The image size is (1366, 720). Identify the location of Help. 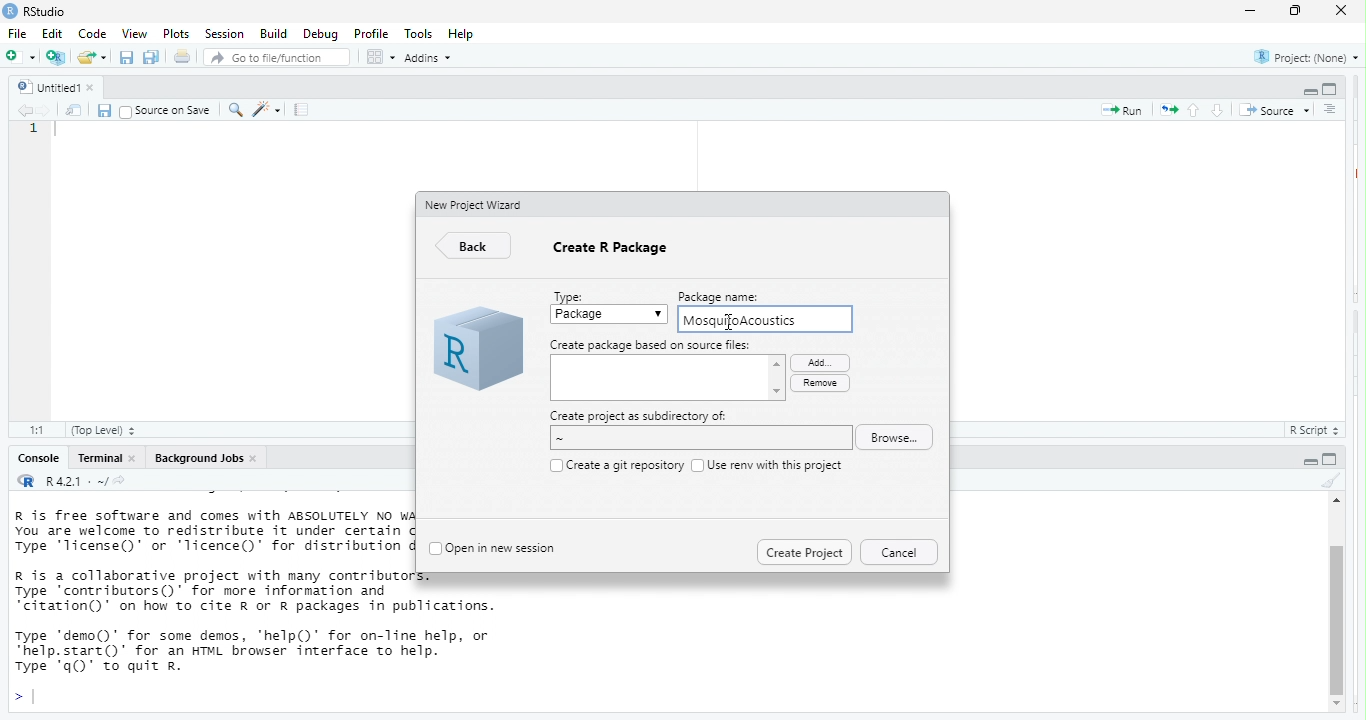
(463, 33).